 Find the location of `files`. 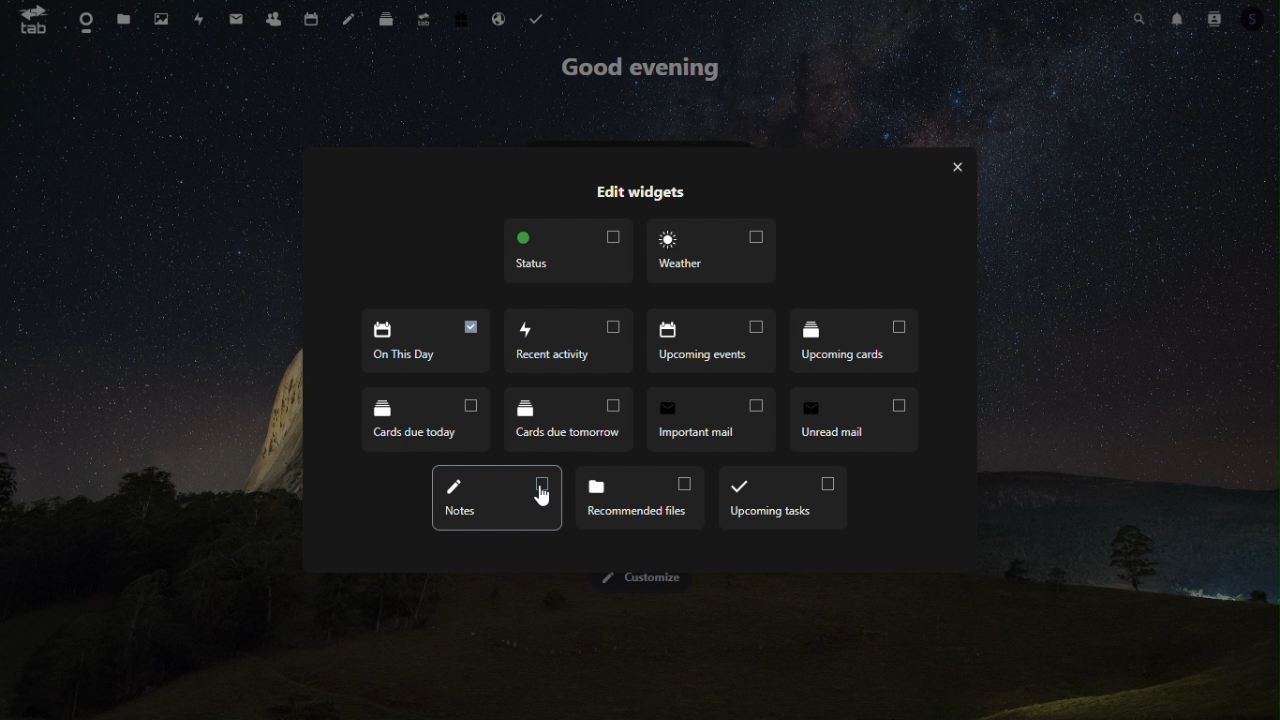

files is located at coordinates (124, 20).